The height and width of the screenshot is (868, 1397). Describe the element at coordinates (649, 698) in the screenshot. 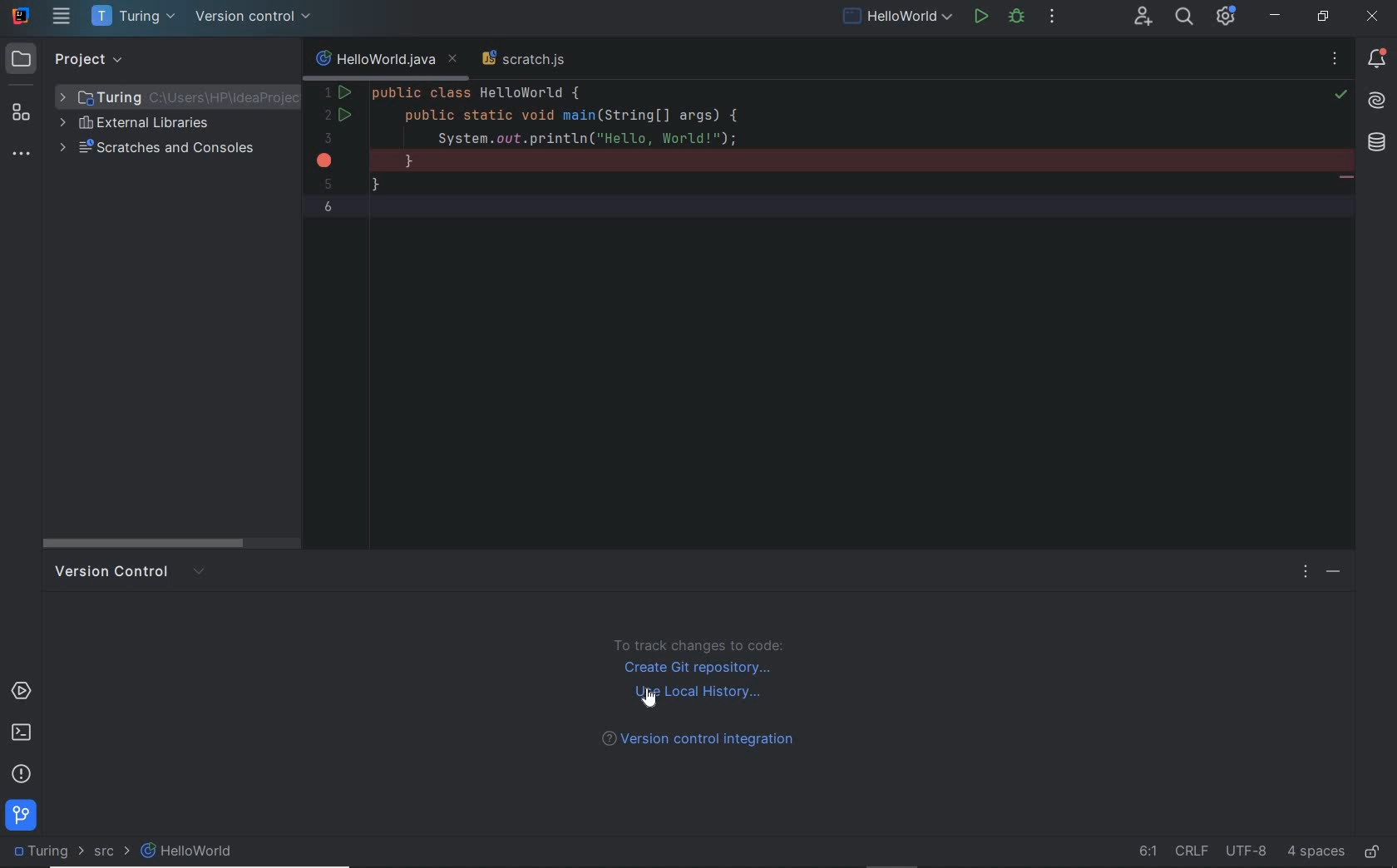

I see `cursor` at that location.